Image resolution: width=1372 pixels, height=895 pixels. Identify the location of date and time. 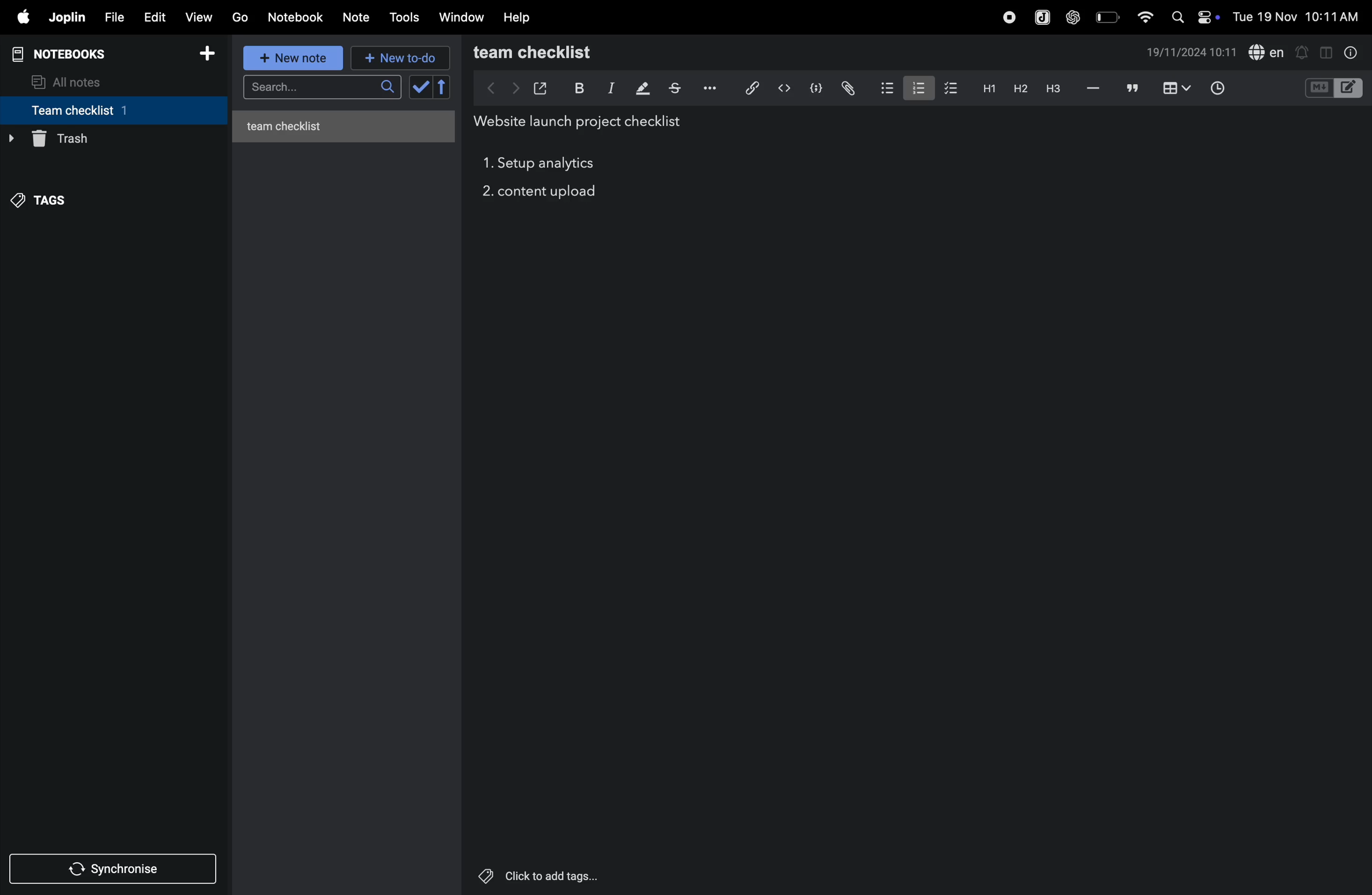
(1192, 54).